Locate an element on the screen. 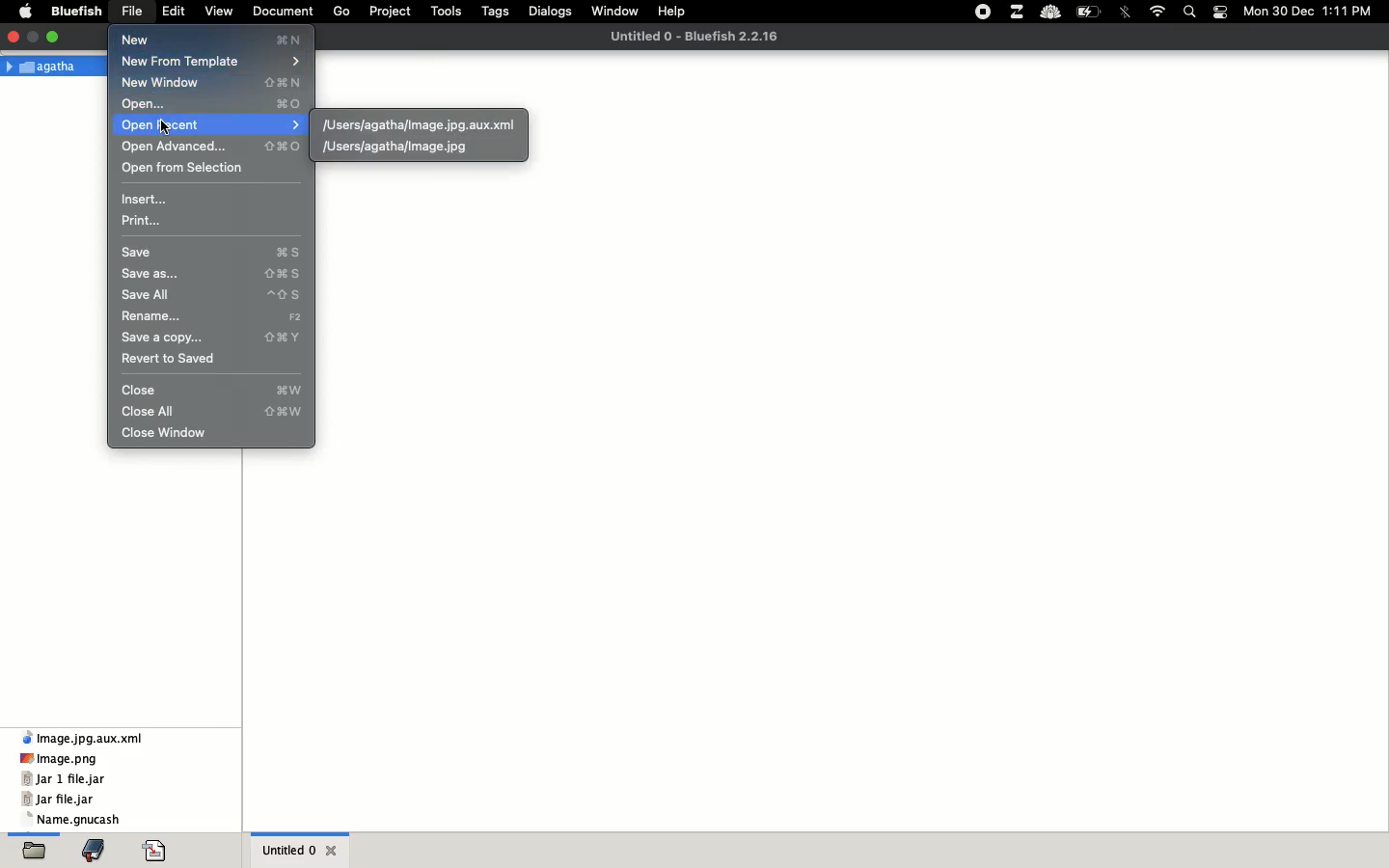 This screenshot has height=868, width=1389. open   command O is located at coordinates (212, 105).